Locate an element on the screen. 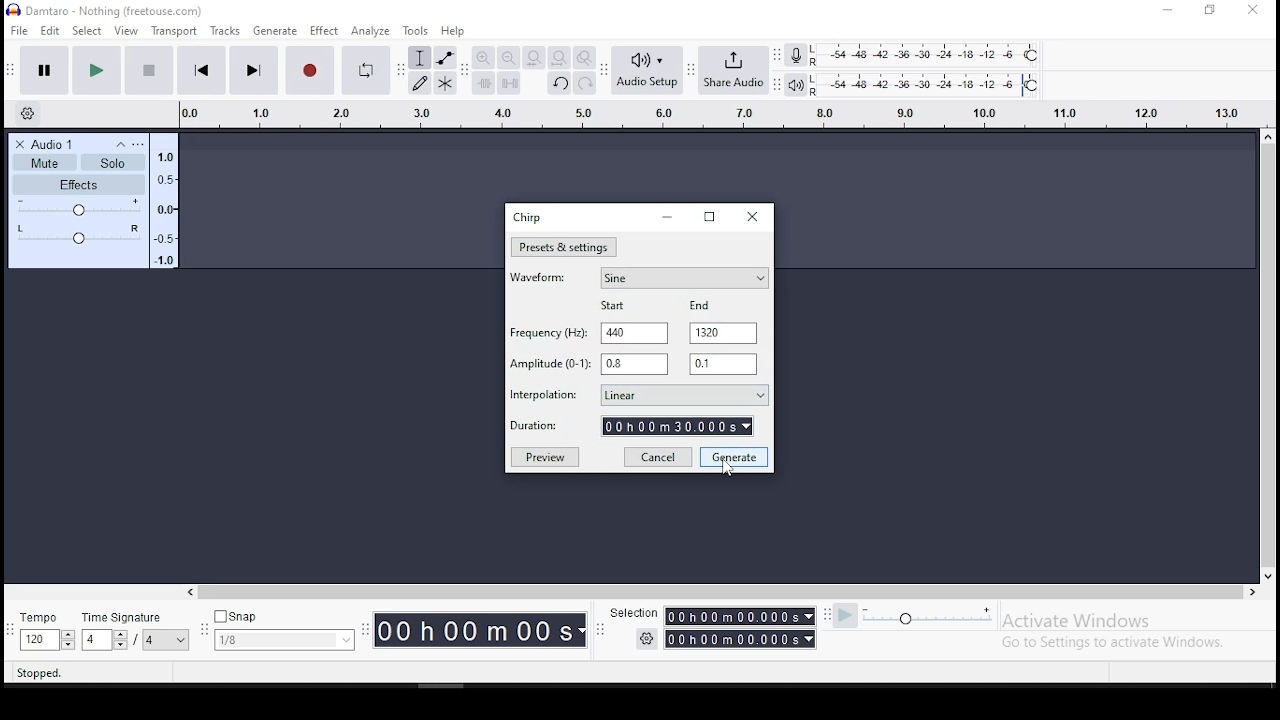 Image resolution: width=1280 pixels, height=720 pixels. mute is located at coordinates (45, 162).